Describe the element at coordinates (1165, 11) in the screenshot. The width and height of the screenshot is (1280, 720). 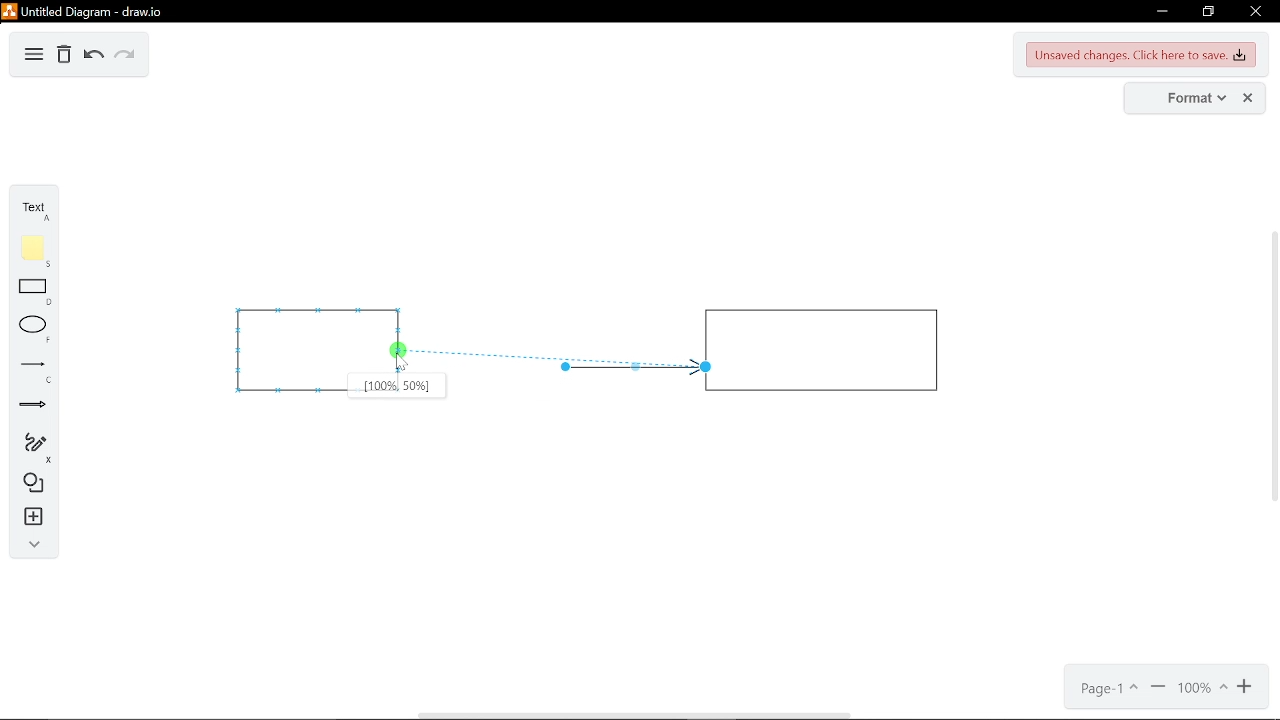
I see `minimize` at that location.